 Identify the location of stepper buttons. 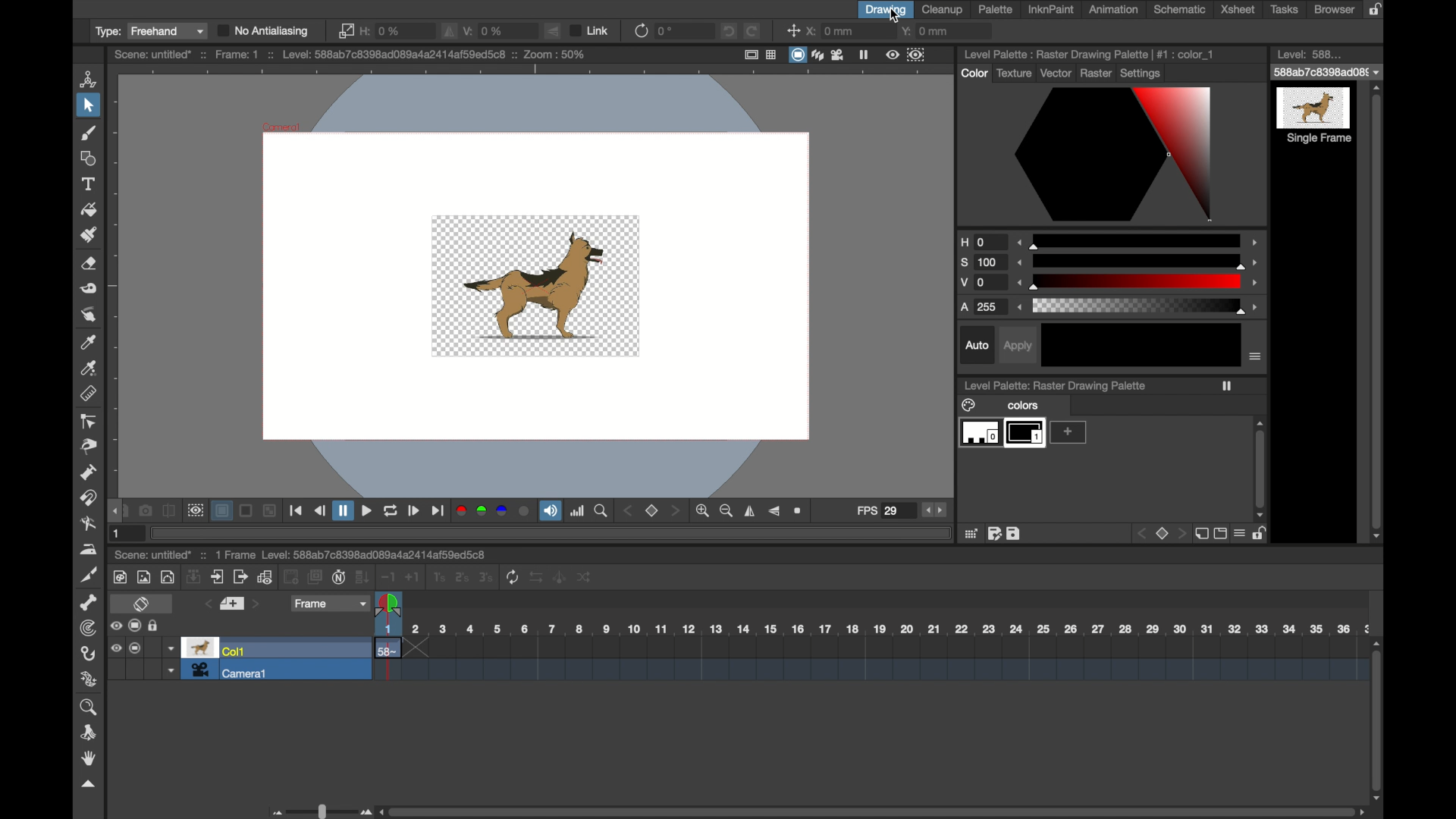
(934, 510).